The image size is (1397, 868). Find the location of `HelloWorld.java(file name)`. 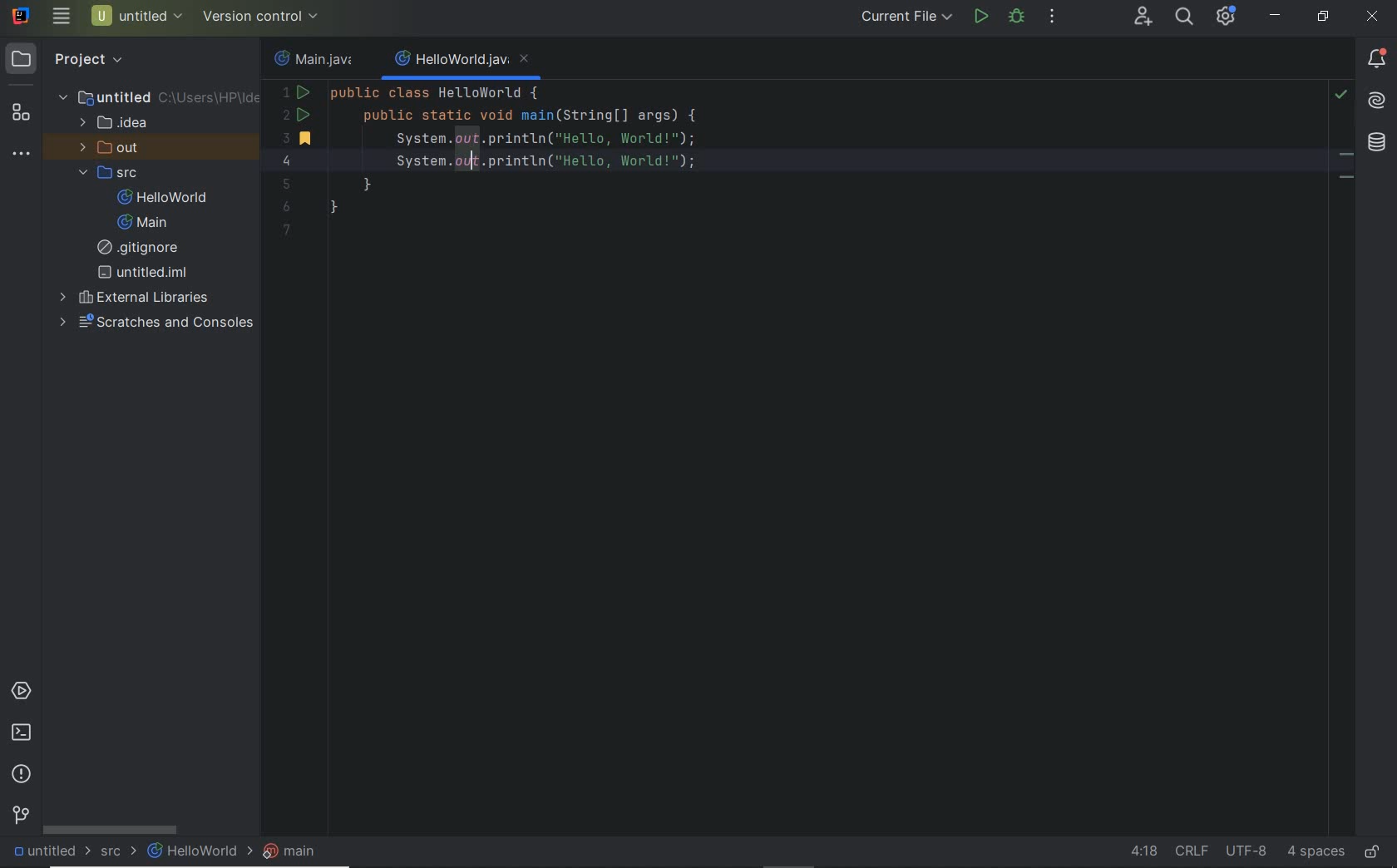

HelloWorld.java(file name) is located at coordinates (462, 60).